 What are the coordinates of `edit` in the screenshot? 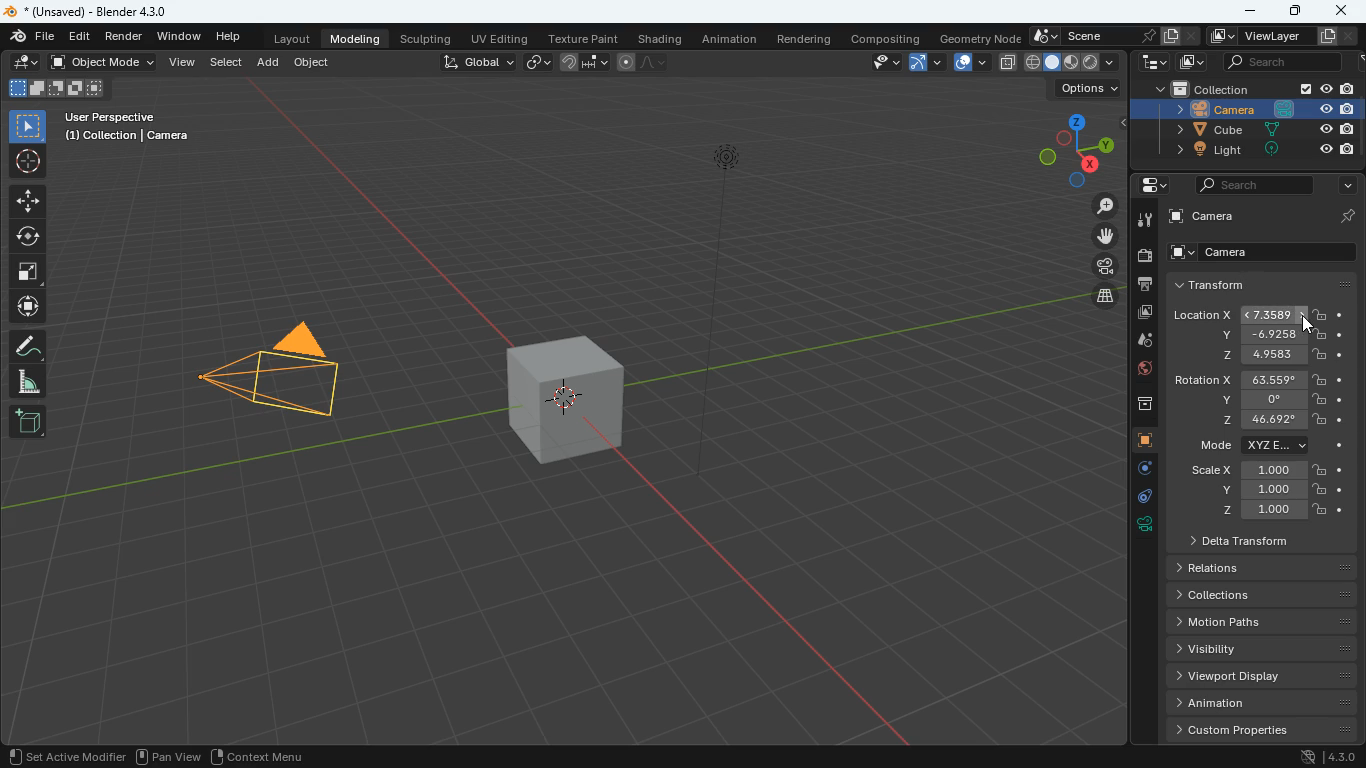 It's located at (80, 36).